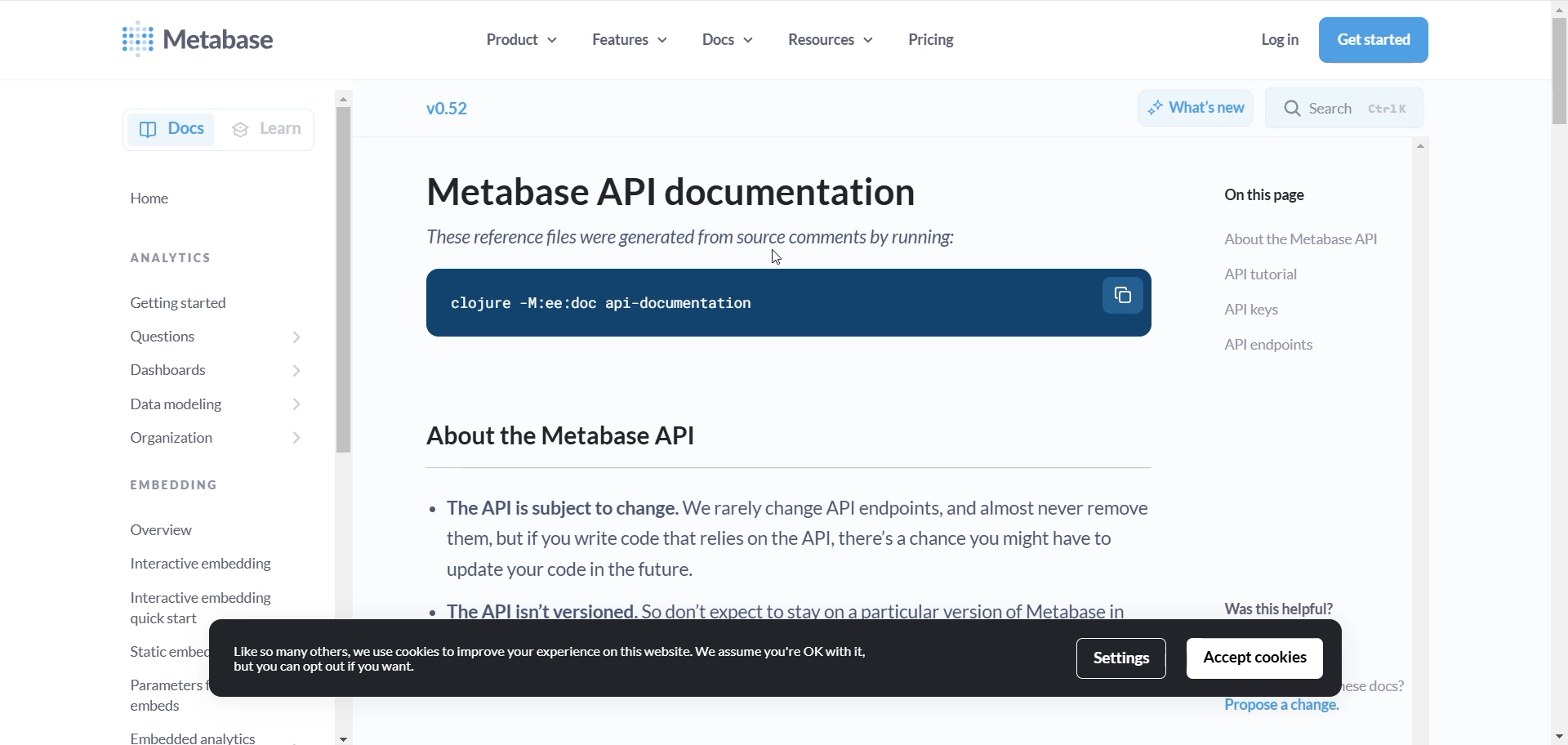 The height and width of the screenshot is (745, 1568). I want to click on docs, so click(168, 131).